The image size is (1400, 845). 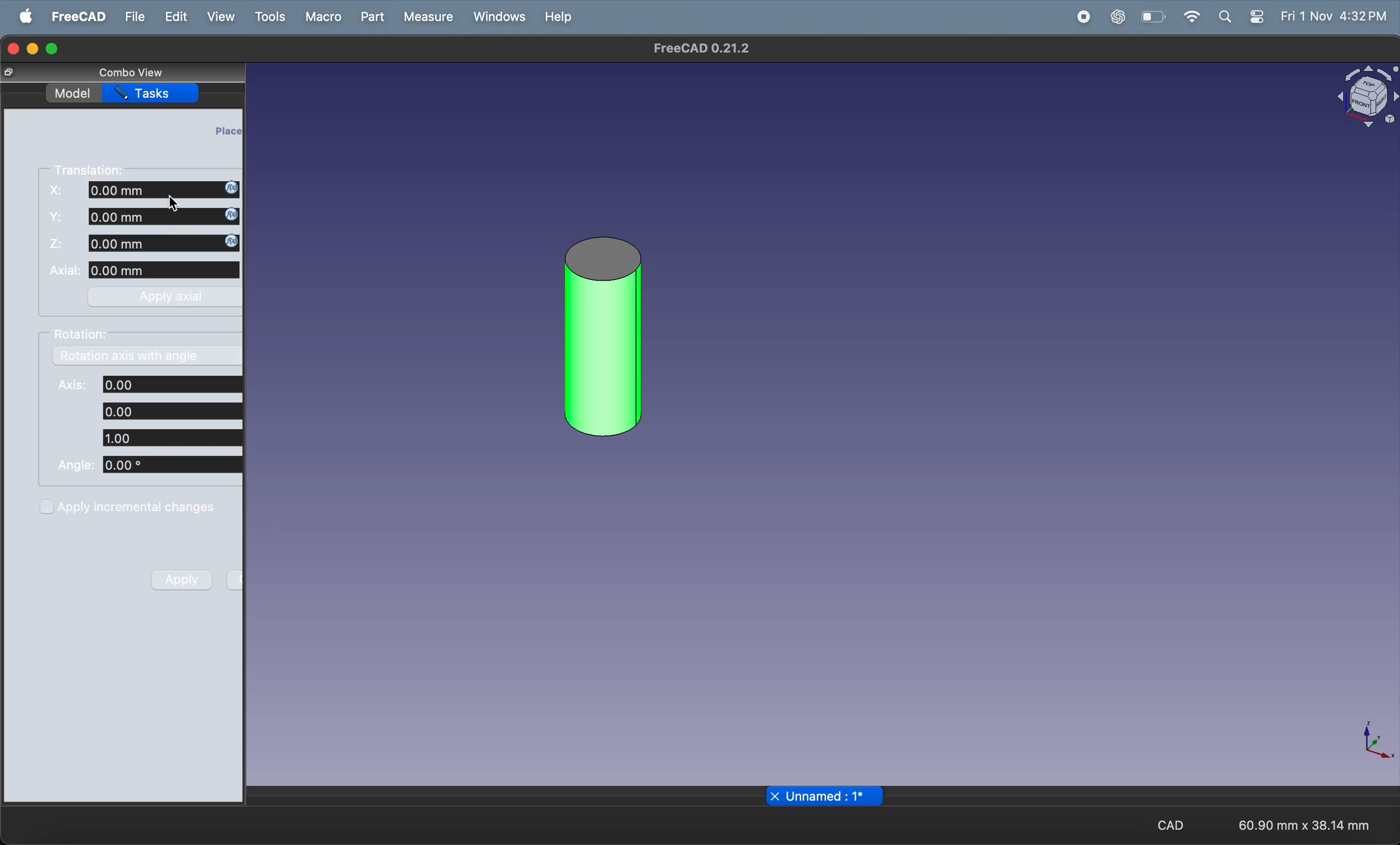 I want to click on battery, so click(x=1152, y=18).